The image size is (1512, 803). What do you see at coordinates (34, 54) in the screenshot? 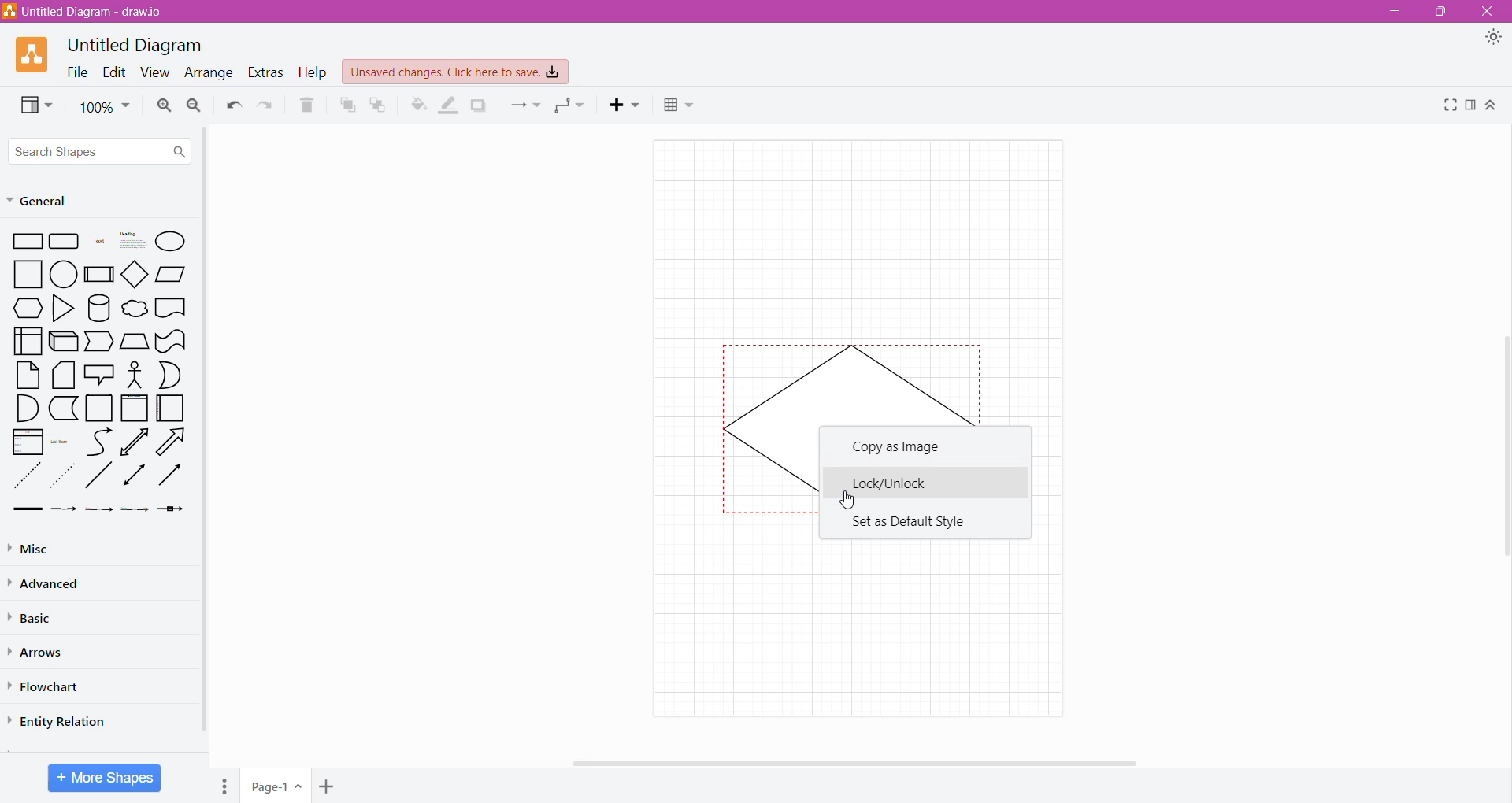
I see `Application Logo` at bounding box center [34, 54].